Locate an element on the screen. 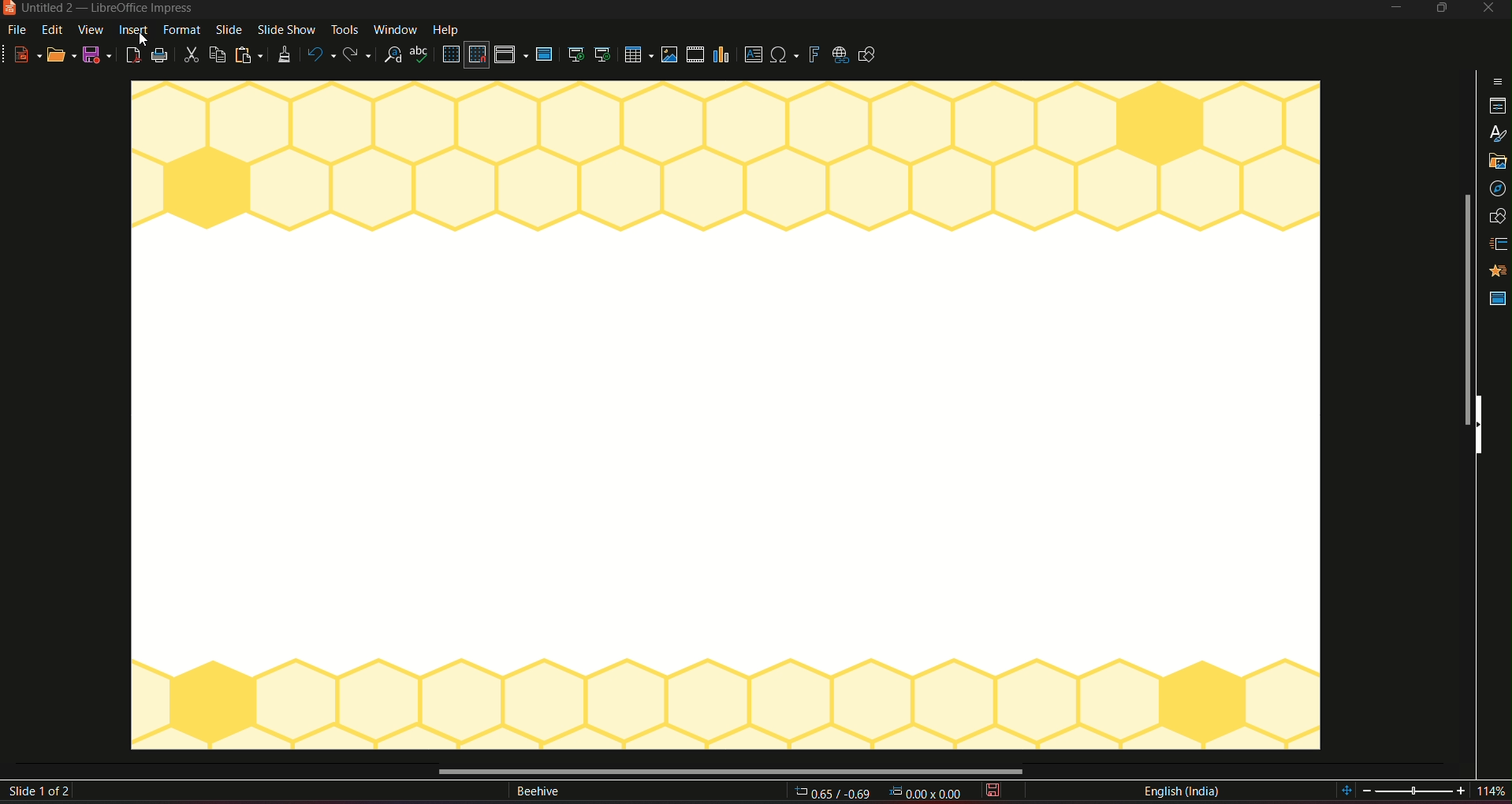 The image size is (1512, 804). start from current slide is located at coordinates (602, 55).